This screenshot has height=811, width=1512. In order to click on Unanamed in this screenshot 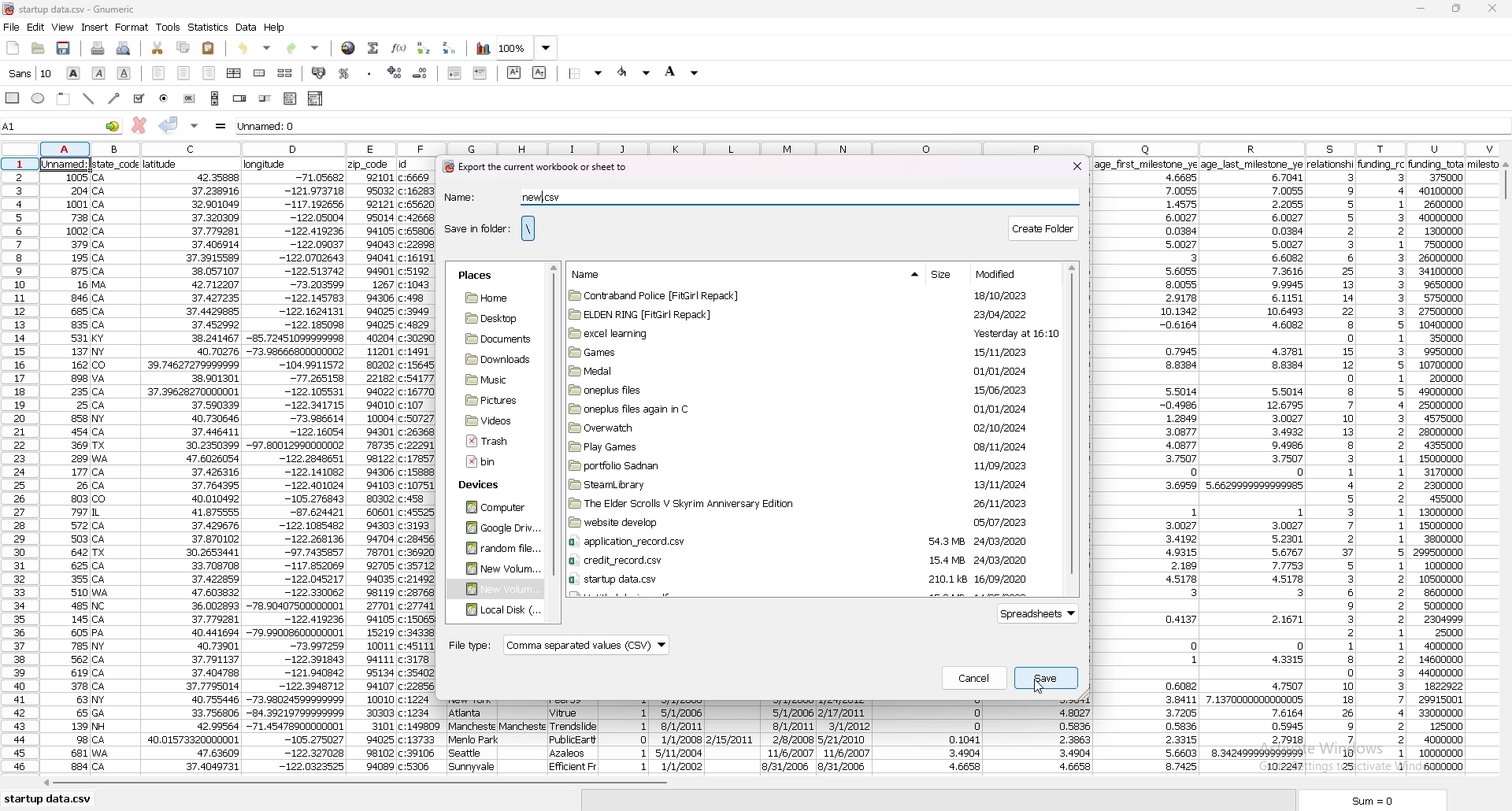, I will do `click(603, 128)`.